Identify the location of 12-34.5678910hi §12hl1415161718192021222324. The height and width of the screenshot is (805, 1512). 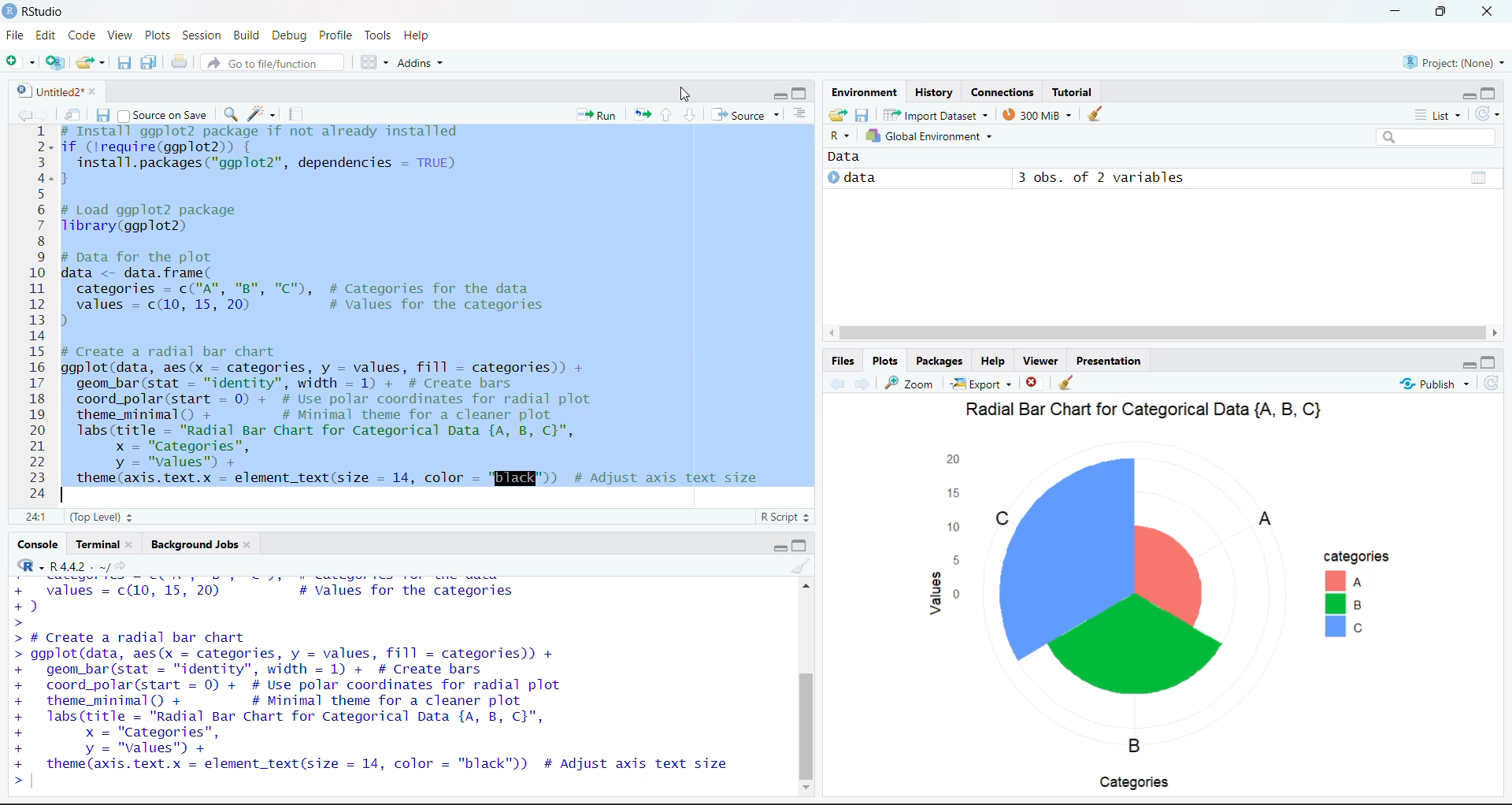
(37, 314).